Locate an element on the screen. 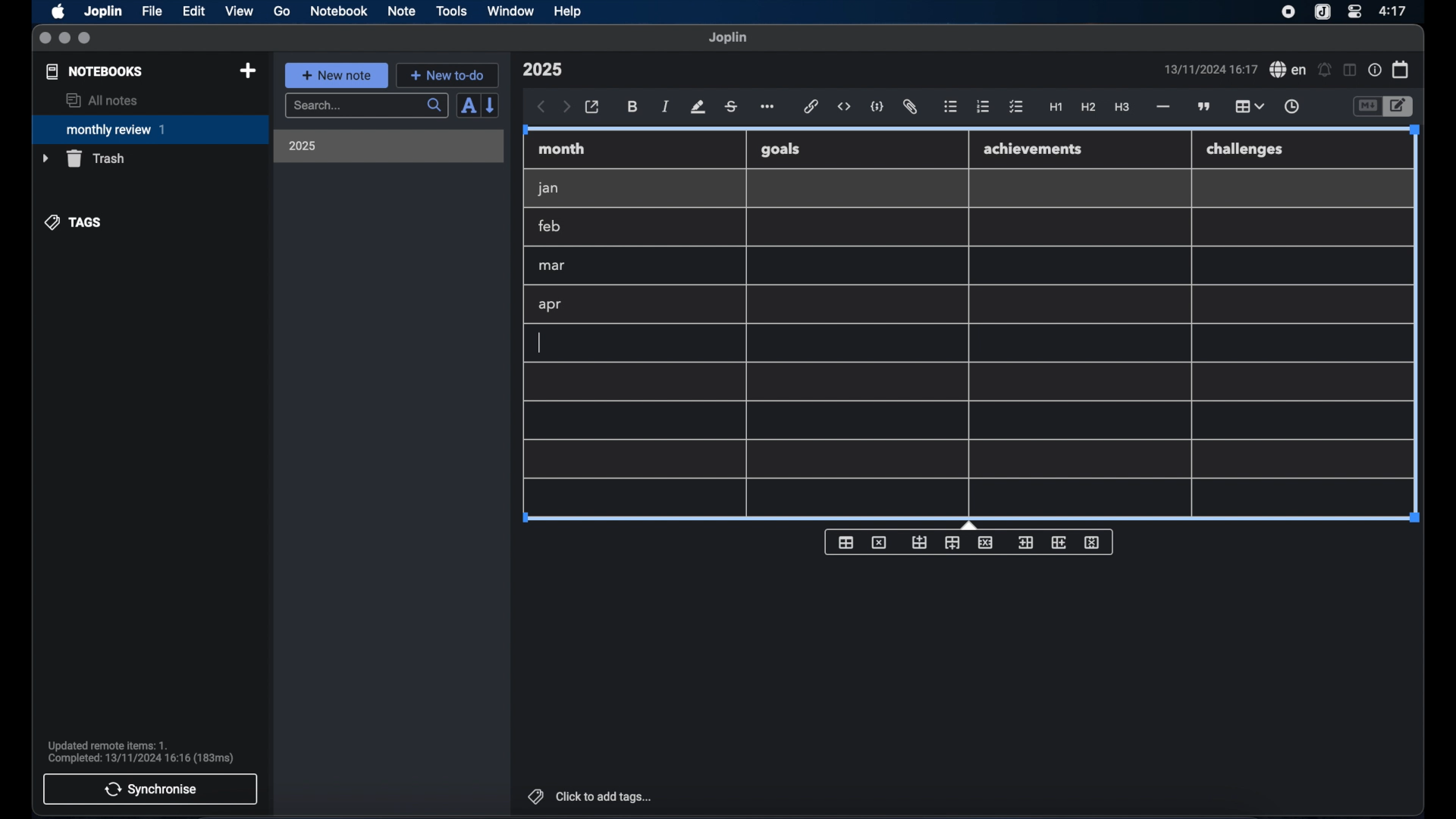  synchronise is located at coordinates (150, 789).